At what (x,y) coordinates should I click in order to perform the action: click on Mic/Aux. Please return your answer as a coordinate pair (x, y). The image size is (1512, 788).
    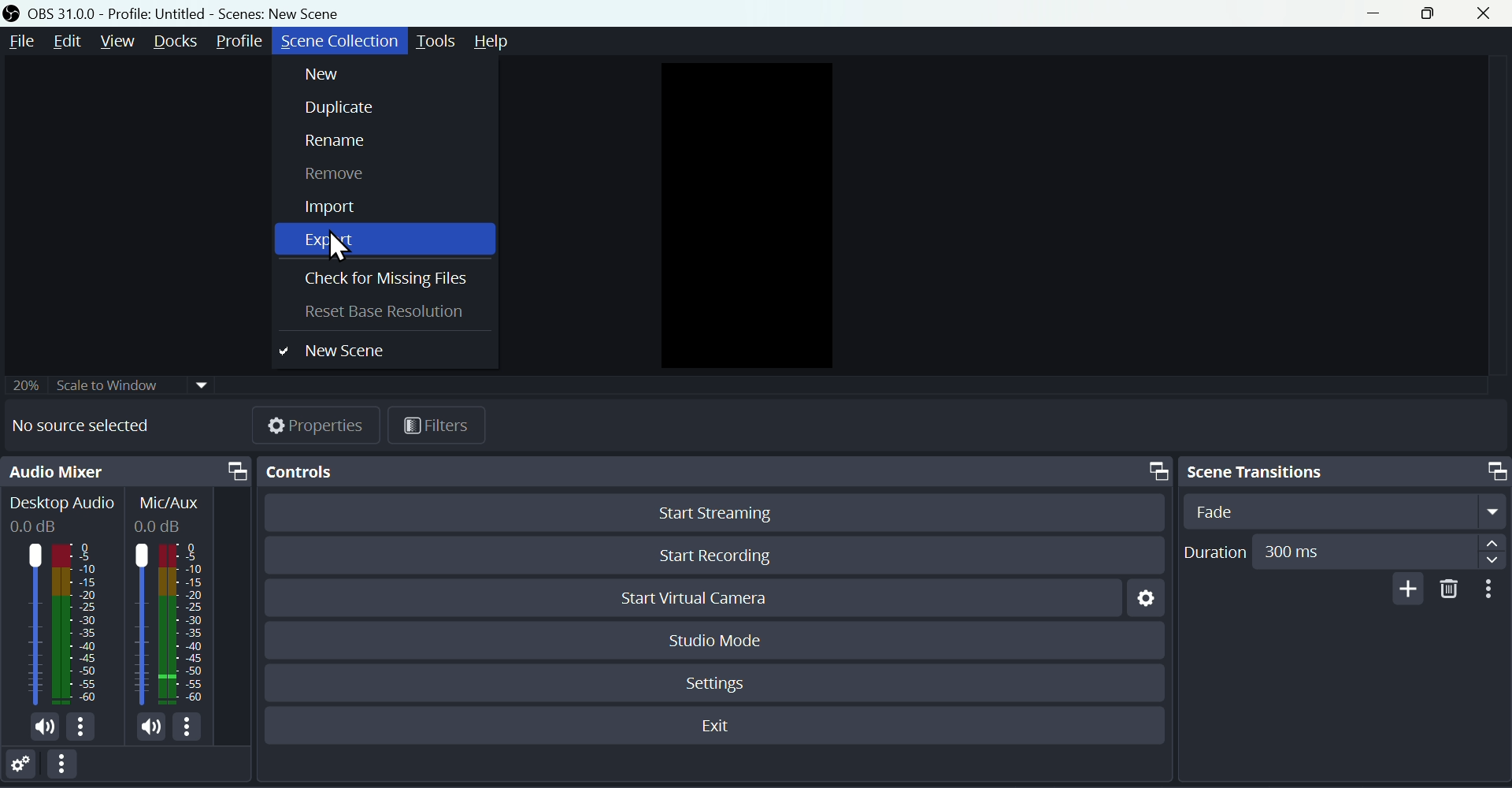
    Looking at the image, I should click on (174, 513).